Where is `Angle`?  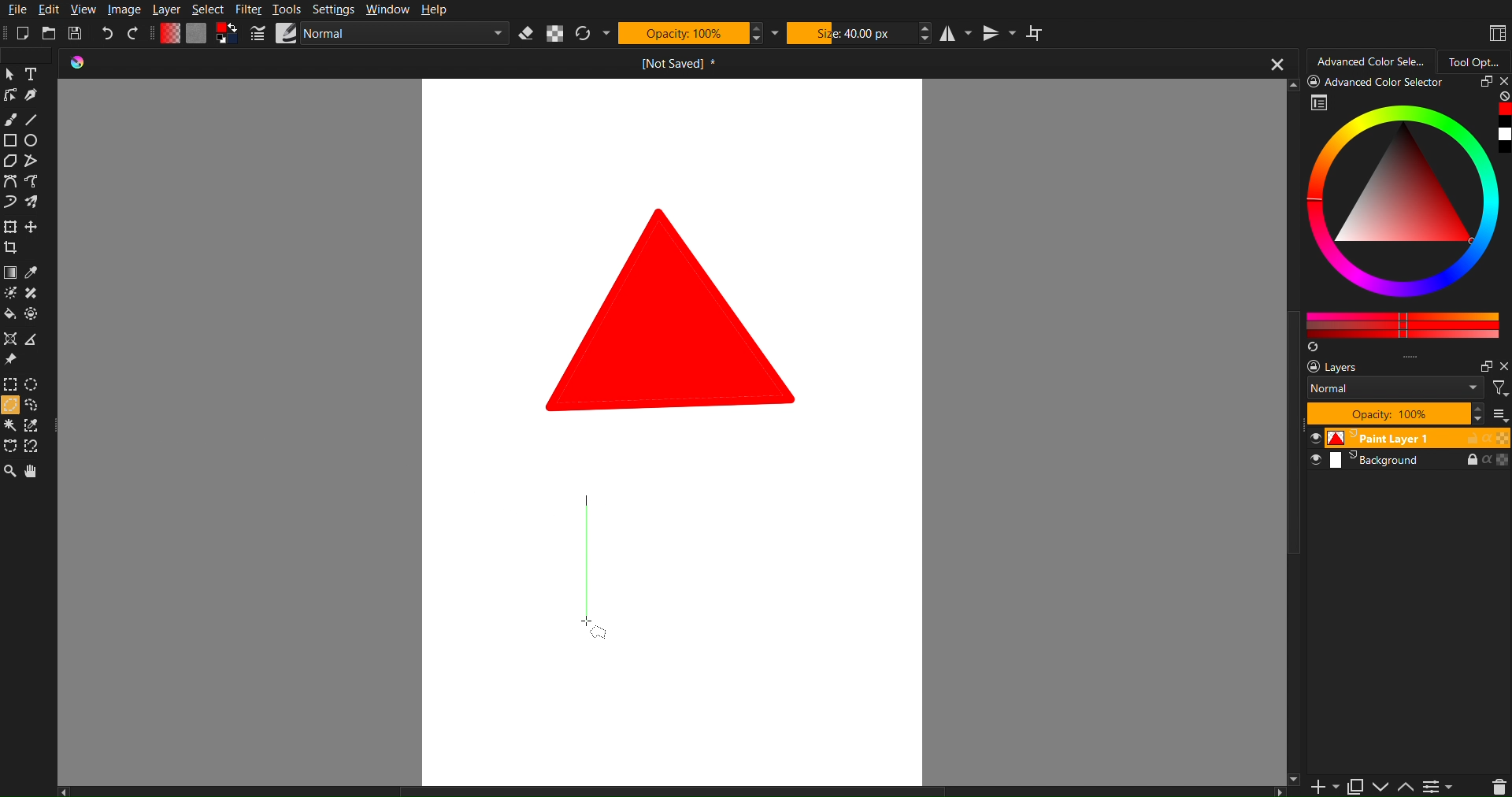
Angle is located at coordinates (31, 342).